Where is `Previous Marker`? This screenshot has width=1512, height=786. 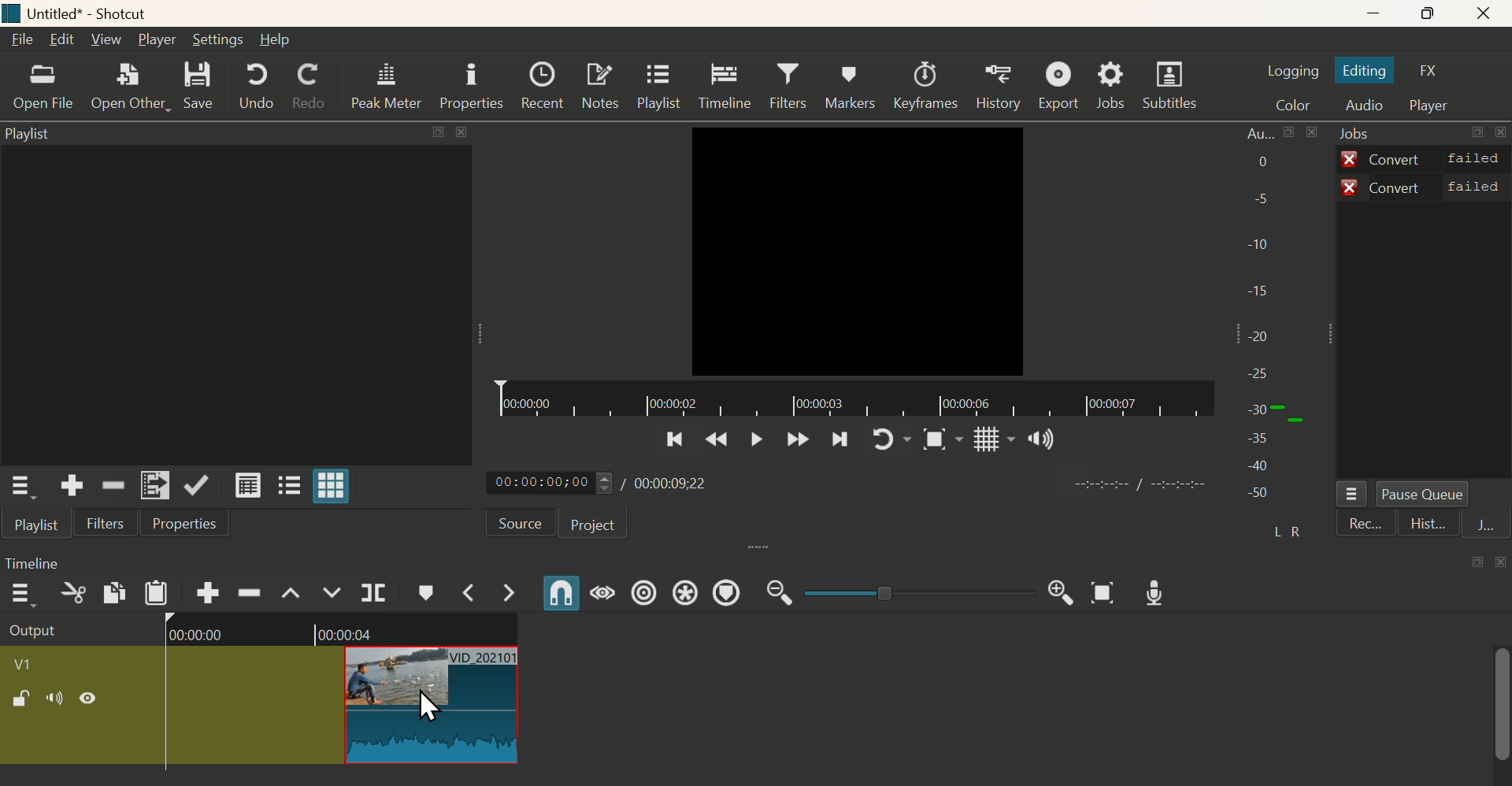 Previous Marker is located at coordinates (477, 593).